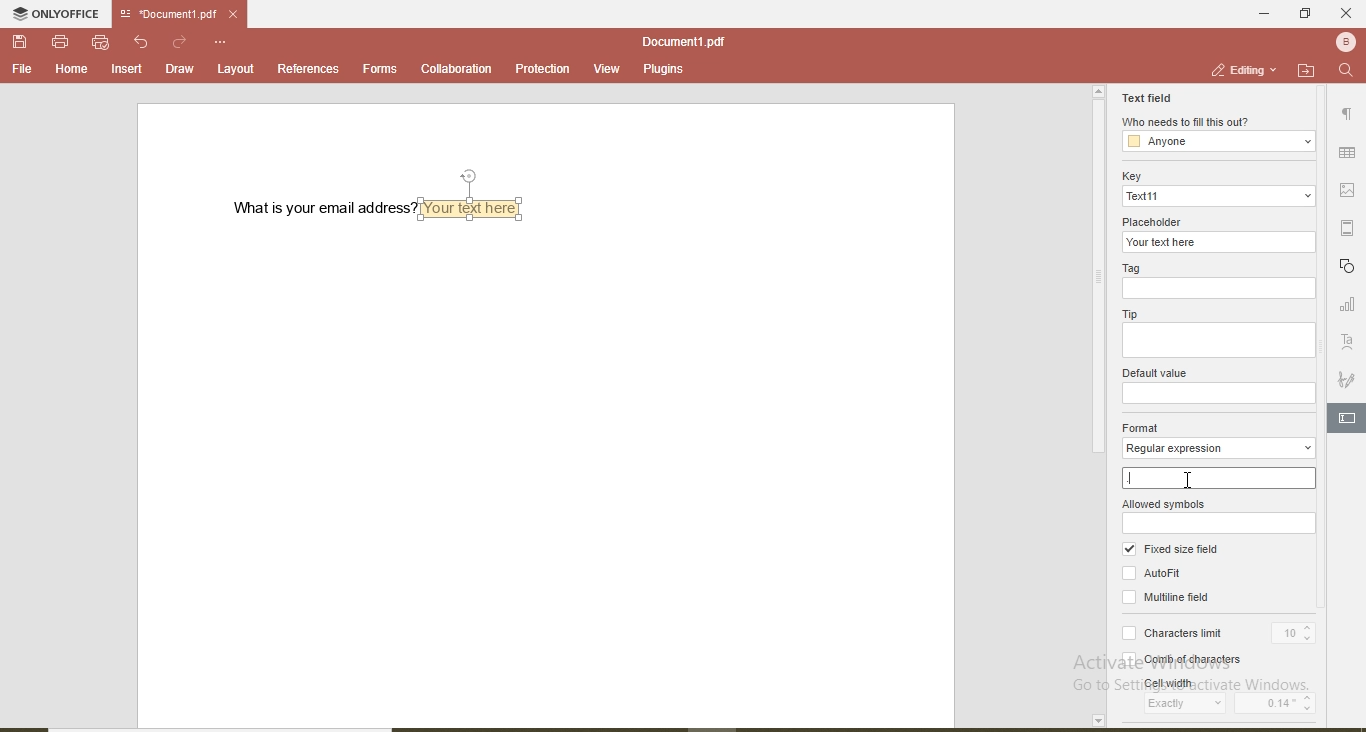  Describe the element at coordinates (1220, 142) in the screenshot. I see `anyone` at that location.